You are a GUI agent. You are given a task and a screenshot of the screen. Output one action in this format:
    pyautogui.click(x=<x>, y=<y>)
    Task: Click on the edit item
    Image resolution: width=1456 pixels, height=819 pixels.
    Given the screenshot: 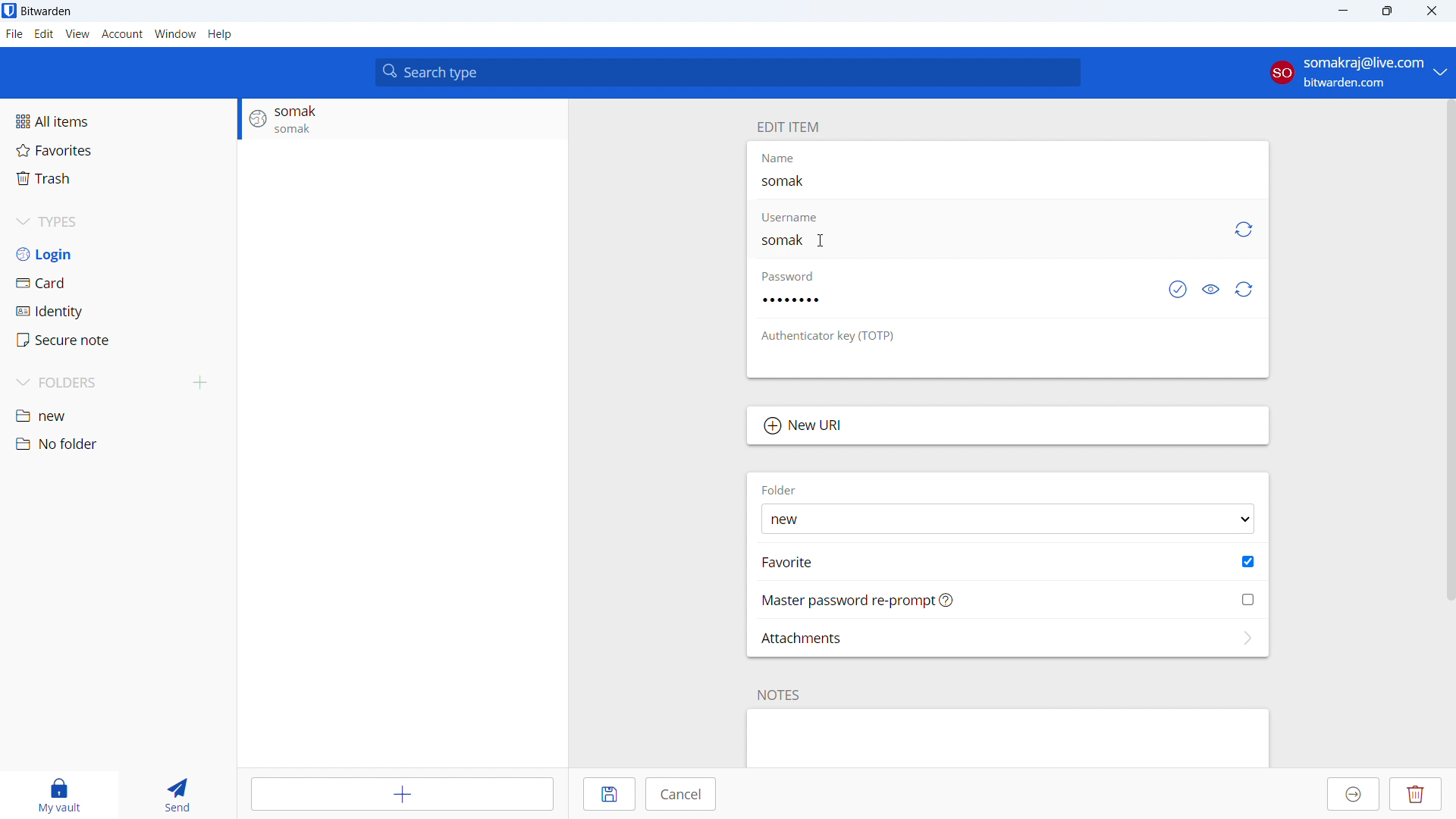 What is the action you would take?
    pyautogui.click(x=788, y=127)
    